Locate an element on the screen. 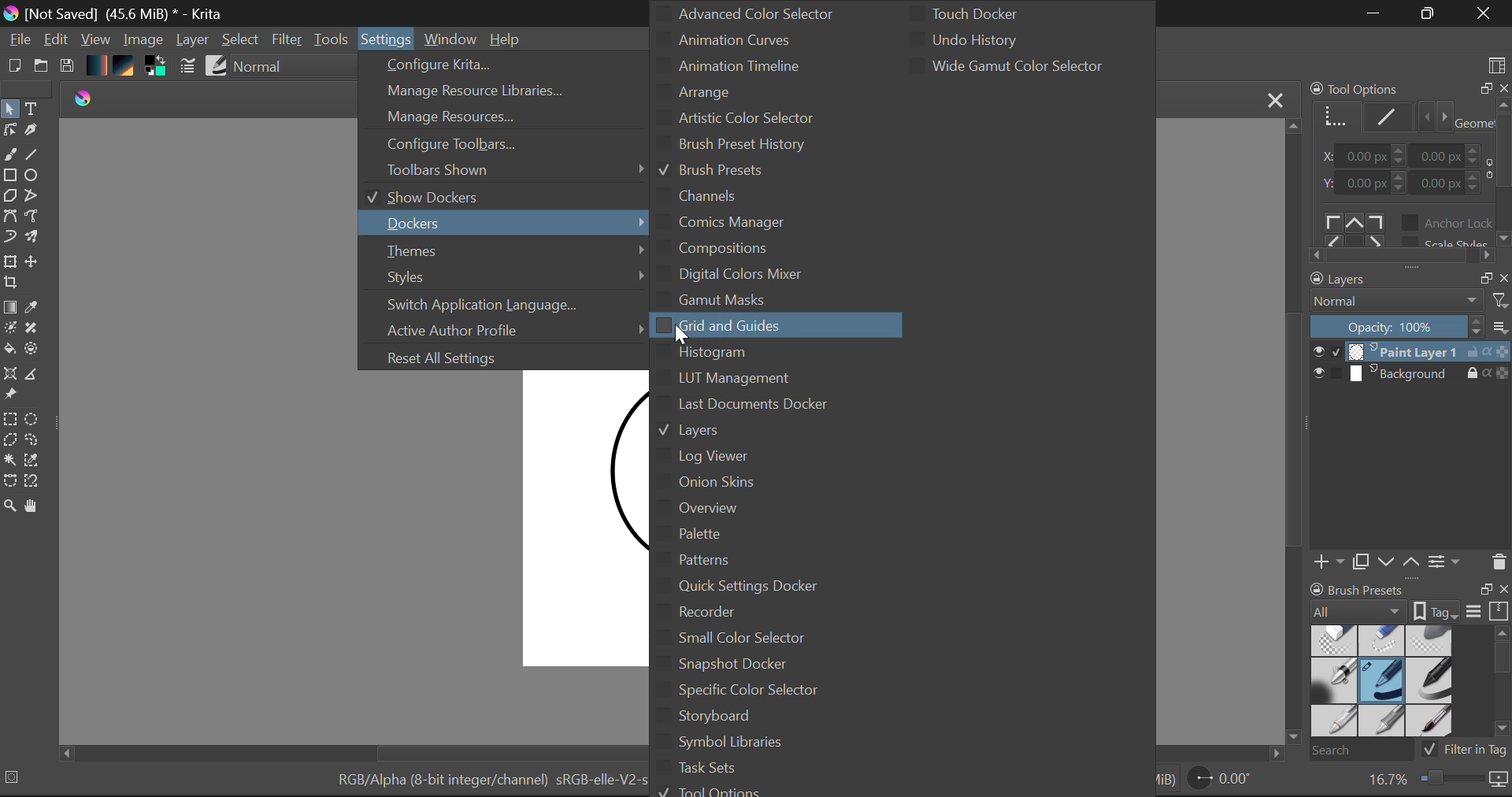 This screenshot has width=1512, height=797. Dynamic Paintbrush is located at coordinates (9, 238).